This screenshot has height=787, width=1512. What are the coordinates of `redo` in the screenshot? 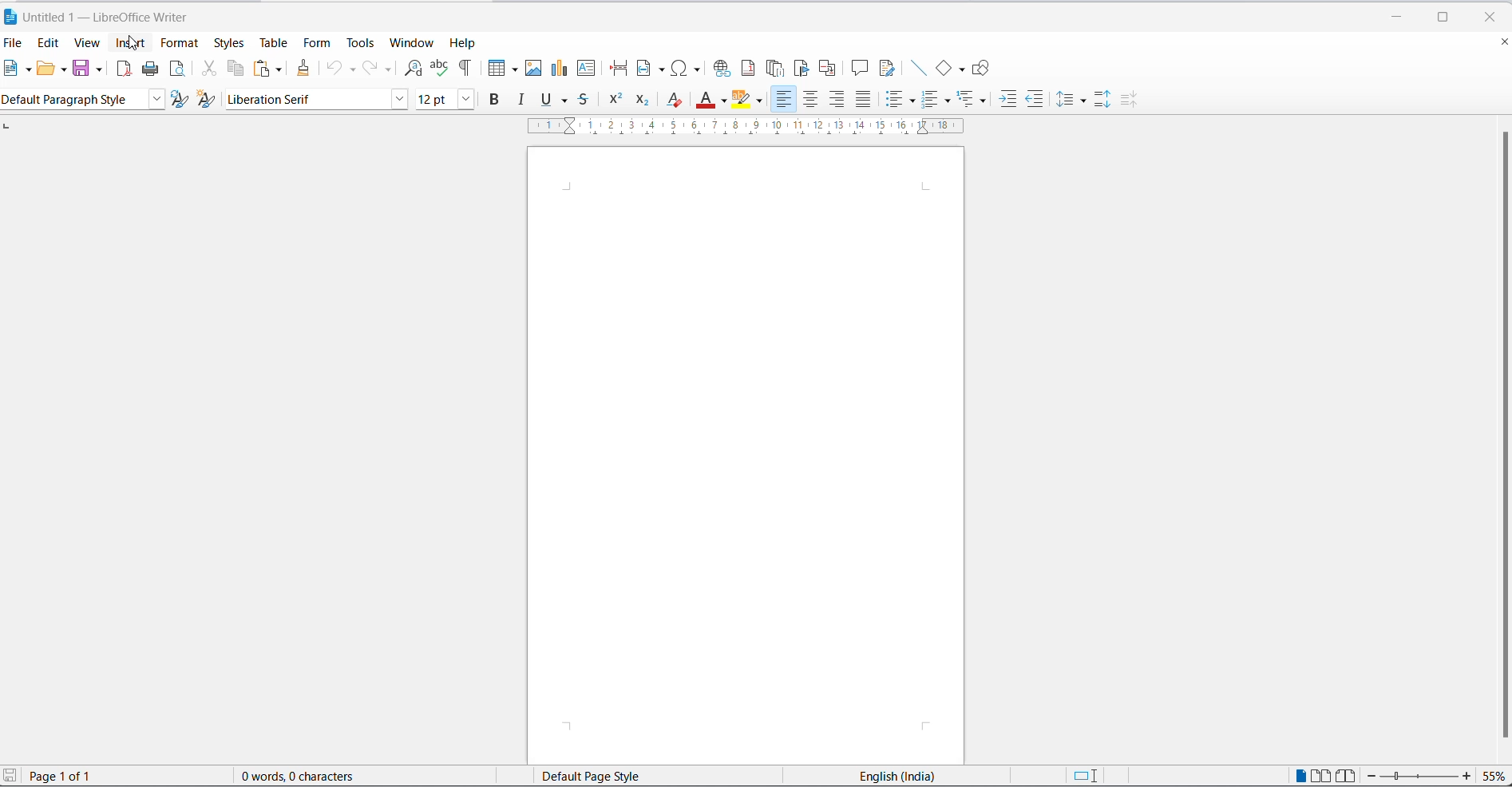 It's located at (369, 69).